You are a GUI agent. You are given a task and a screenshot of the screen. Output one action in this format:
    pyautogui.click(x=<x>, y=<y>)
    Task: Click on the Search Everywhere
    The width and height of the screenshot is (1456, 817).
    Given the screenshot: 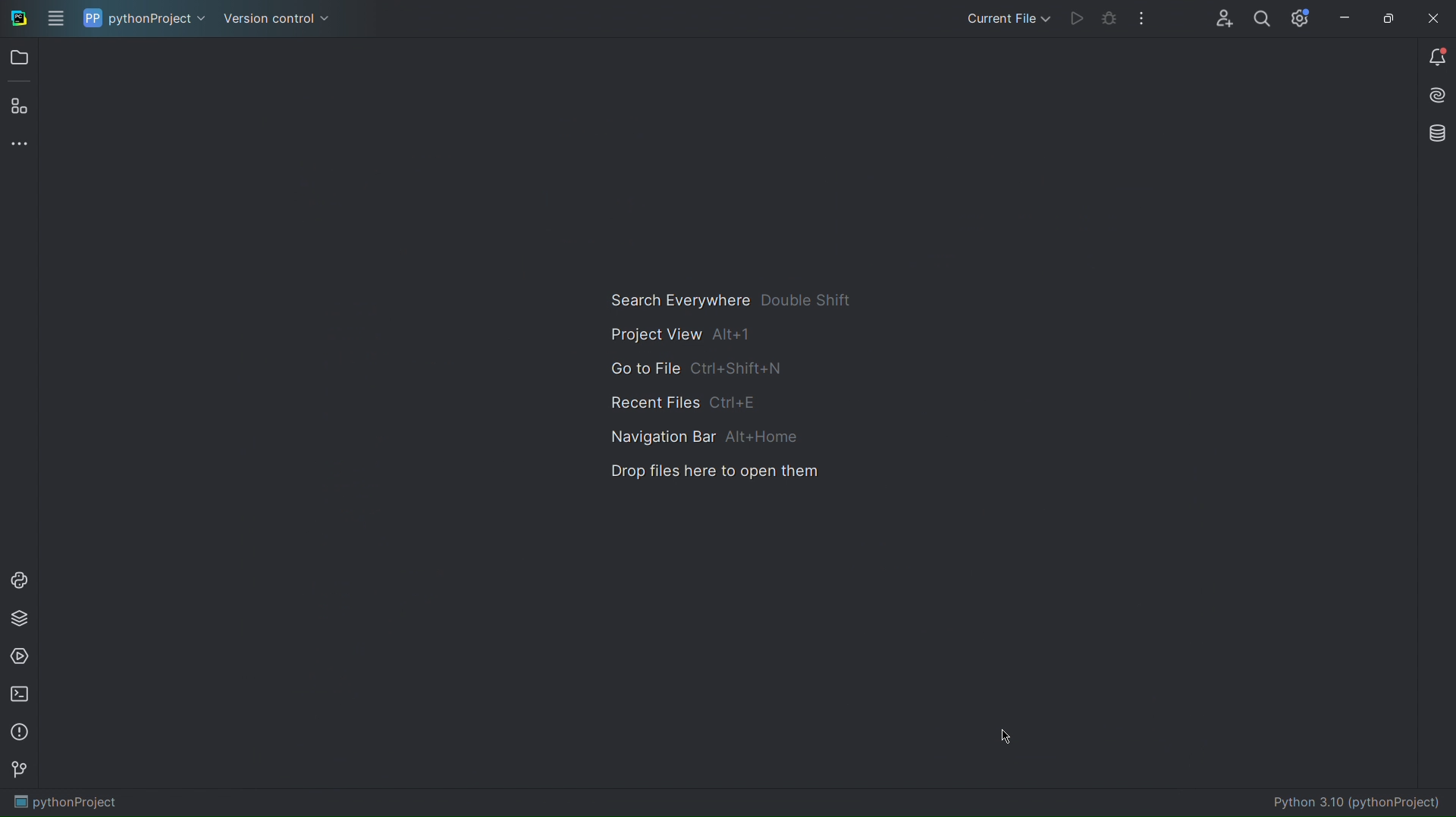 What is the action you would take?
    pyautogui.click(x=731, y=305)
    